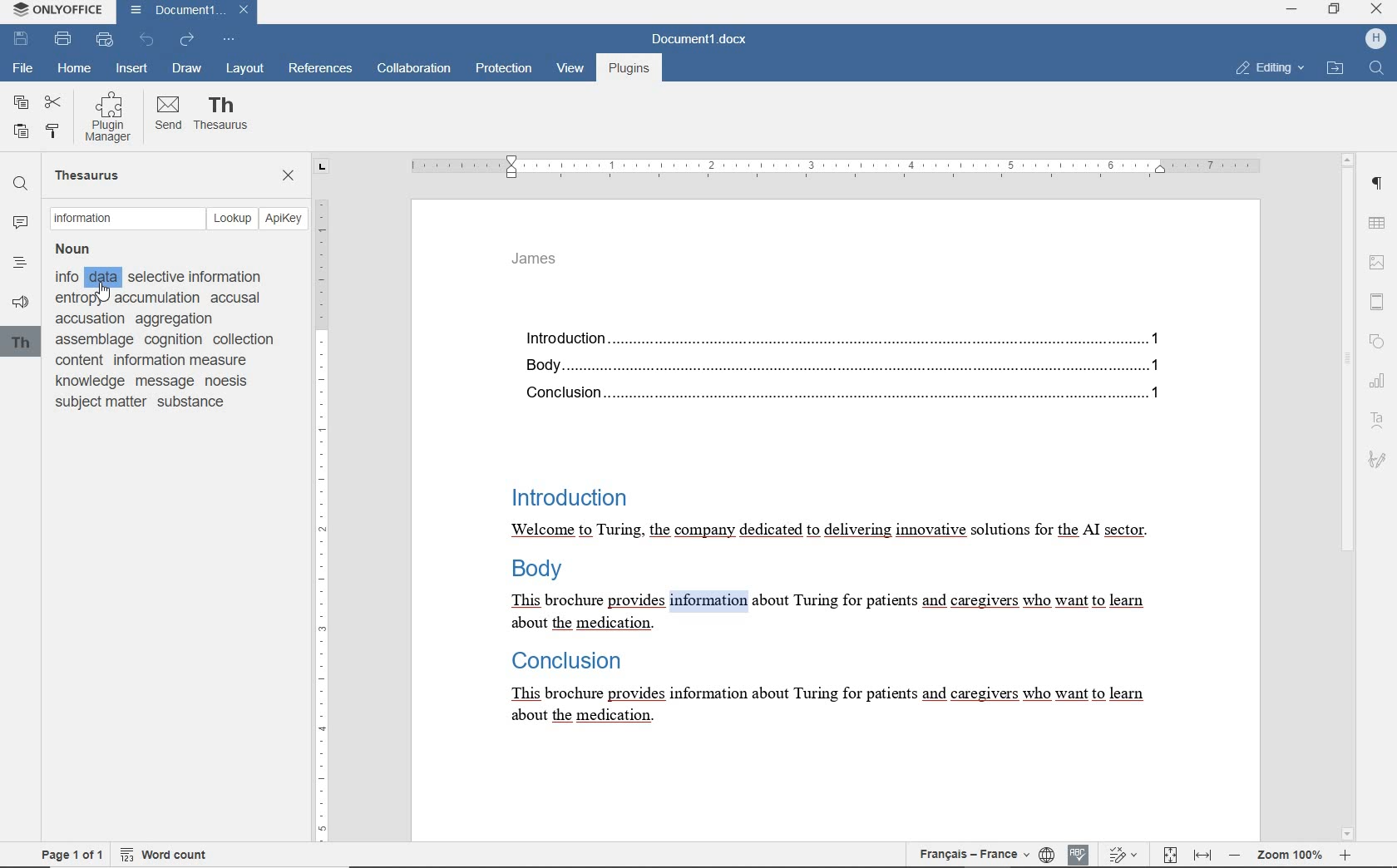 The width and height of the screenshot is (1397, 868). What do you see at coordinates (1379, 261) in the screenshot?
I see `image` at bounding box center [1379, 261].